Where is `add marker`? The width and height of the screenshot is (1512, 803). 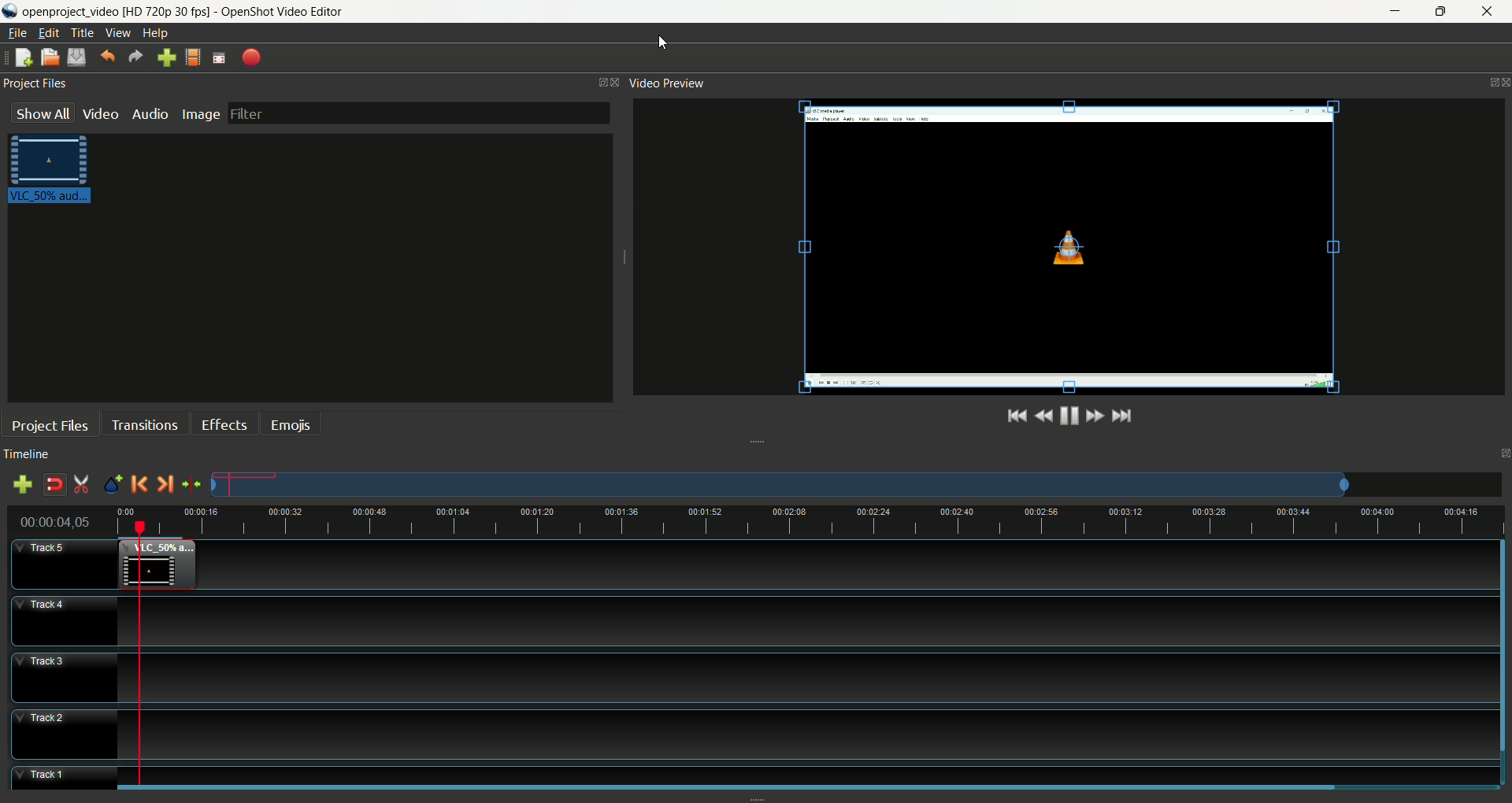
add marker is located at coordinates (114, 485).